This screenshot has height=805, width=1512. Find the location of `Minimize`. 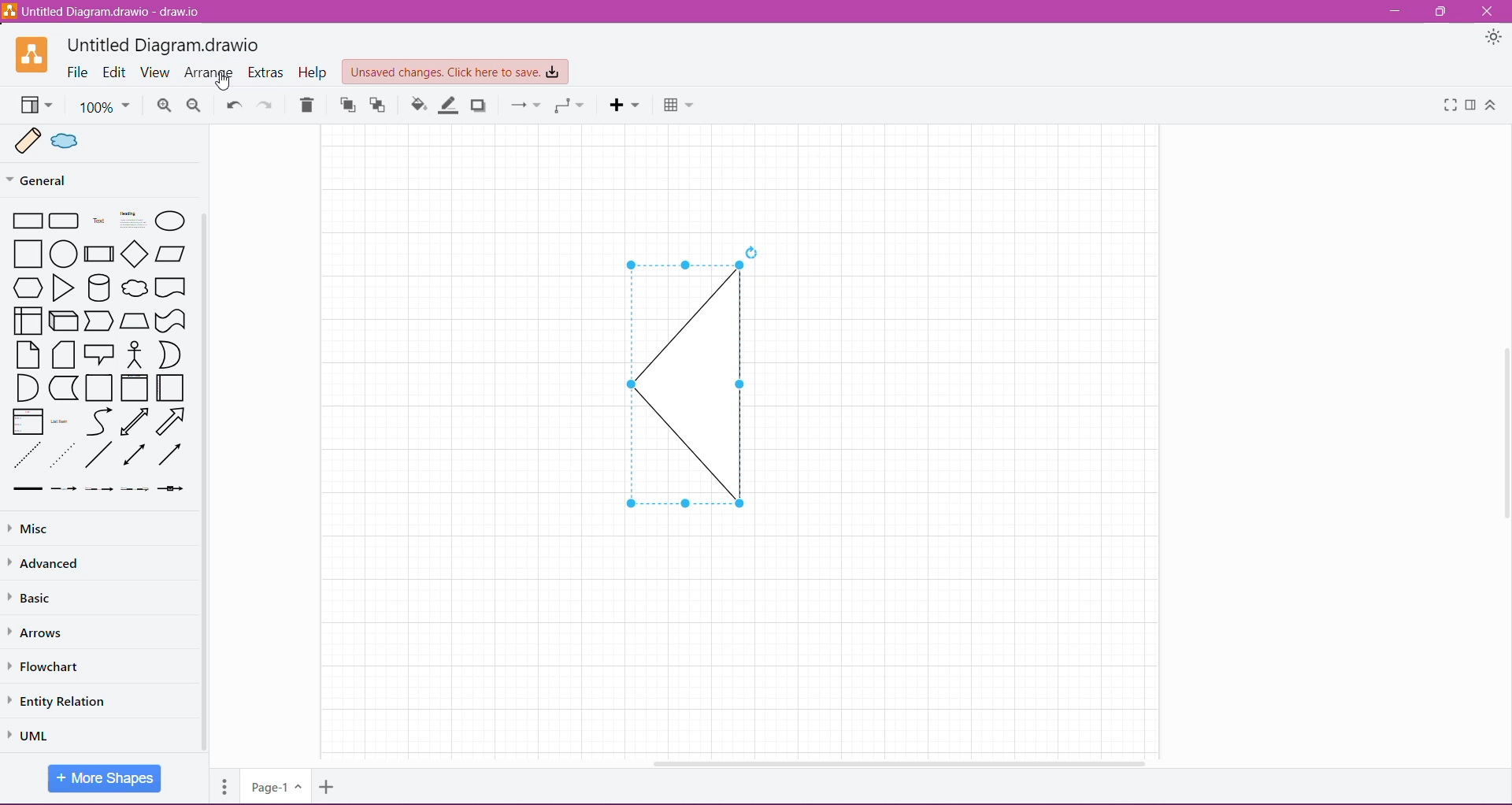

Minimize is located at coordinates (1394, 12).